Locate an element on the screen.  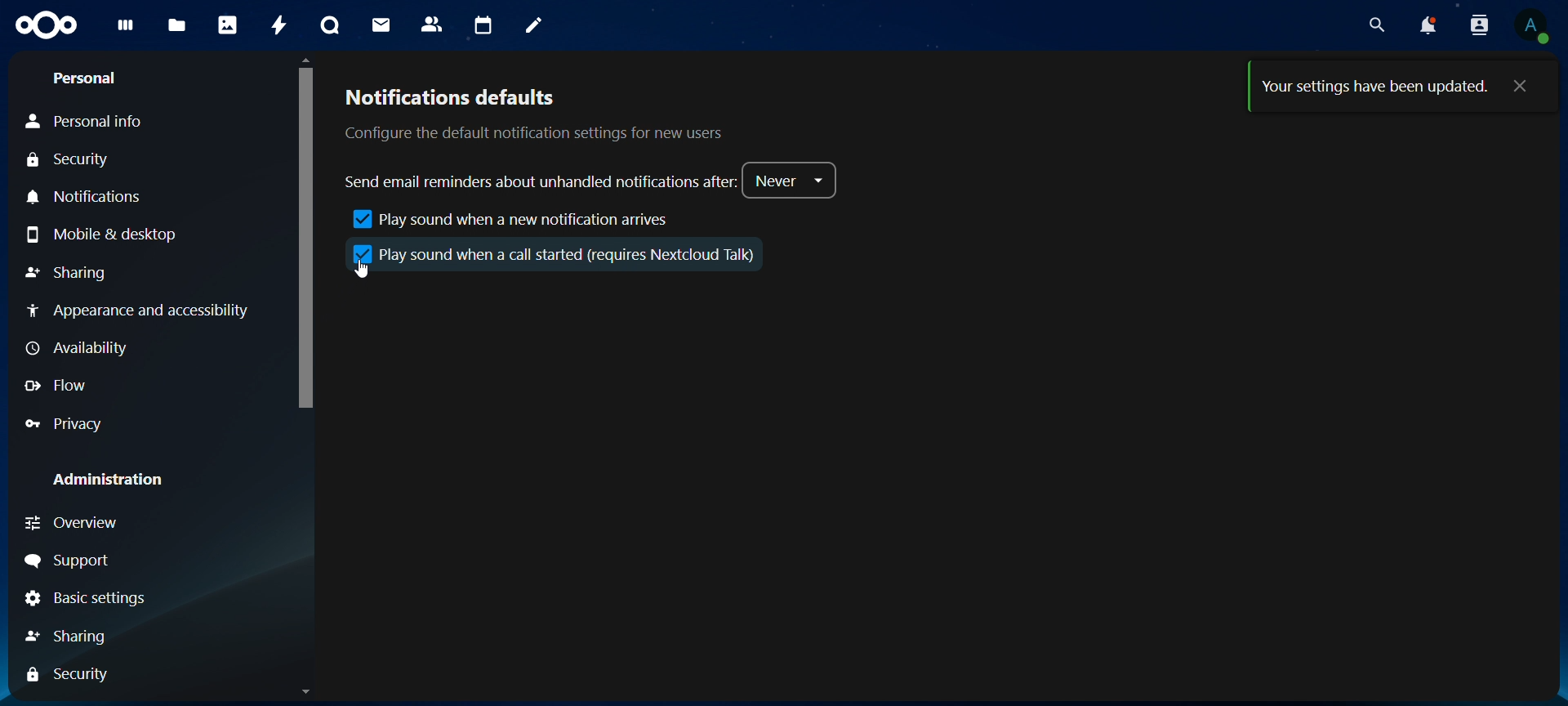
Play sound when a call started is located at coordinates (569, 253).